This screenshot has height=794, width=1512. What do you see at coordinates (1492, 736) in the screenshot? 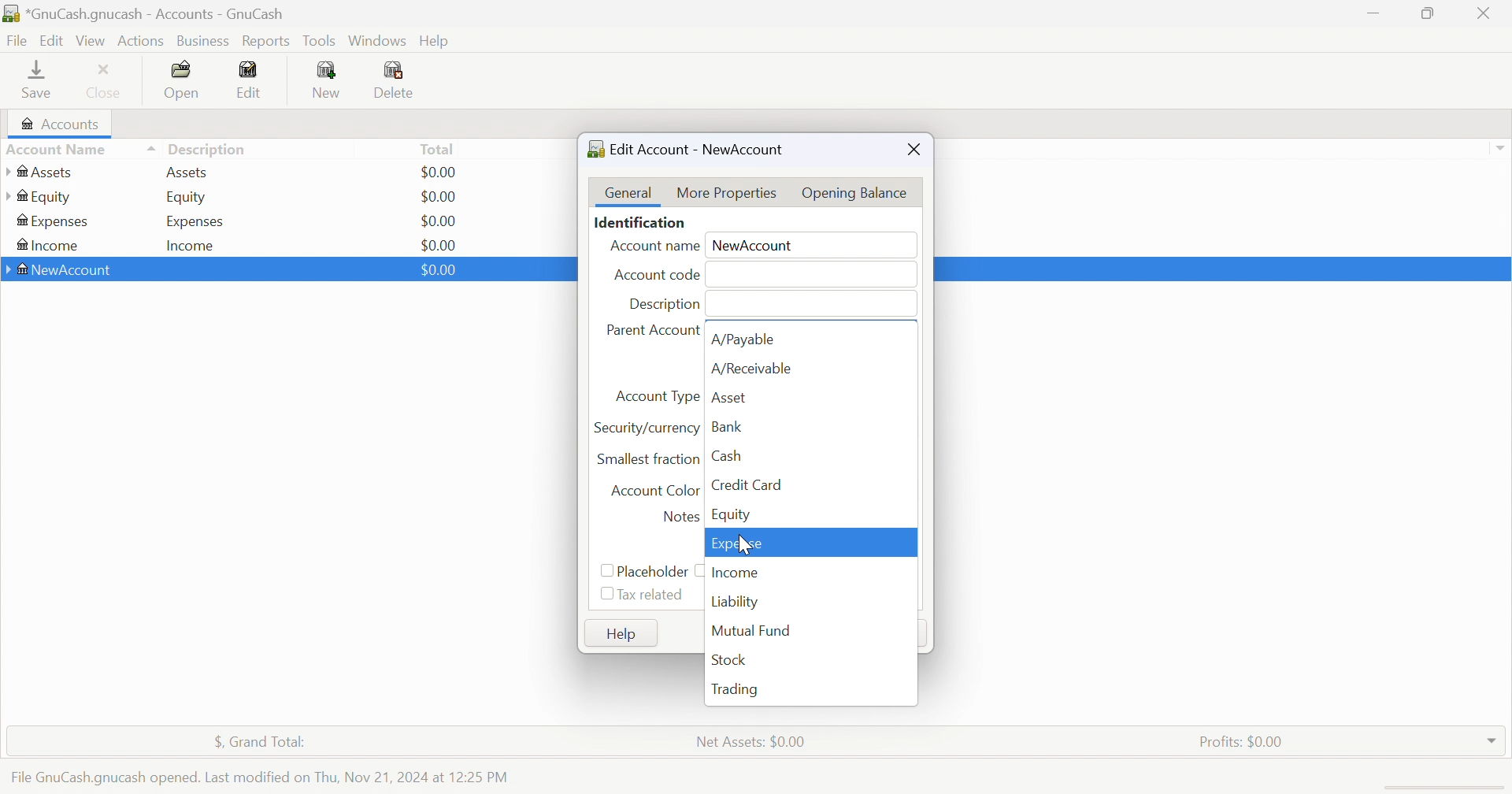
I see `Drop Down` at bounding box center [1492, 736].